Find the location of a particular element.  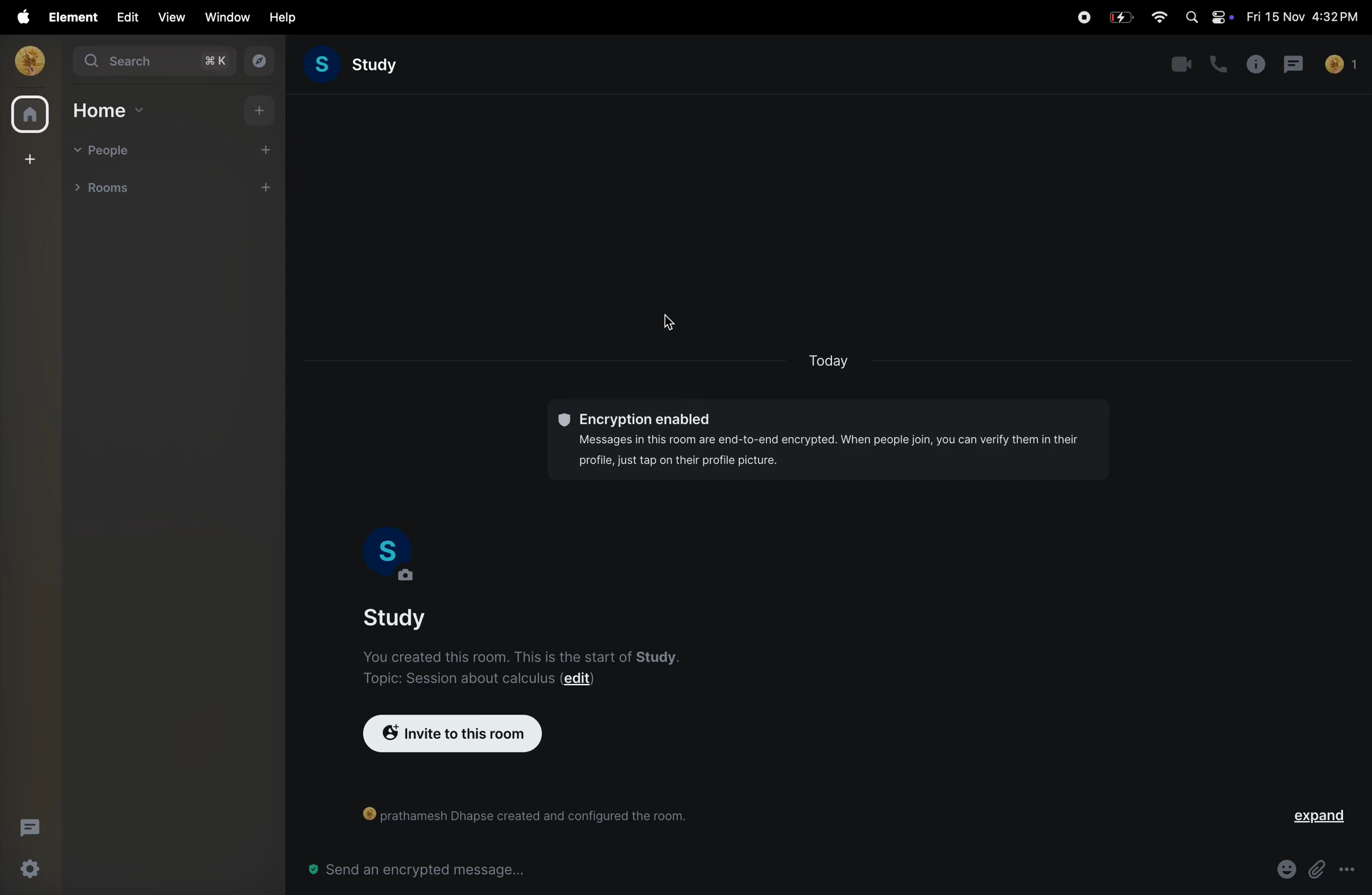

view is located at coordinates (171, 17).